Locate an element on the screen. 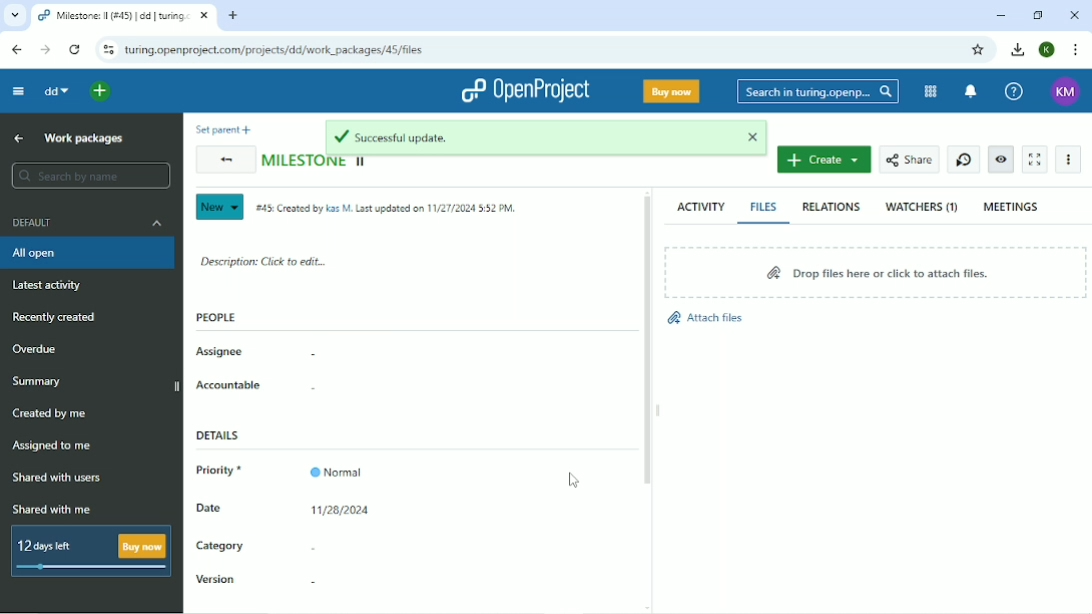  Latest activity is located at coordinates (53, 285).